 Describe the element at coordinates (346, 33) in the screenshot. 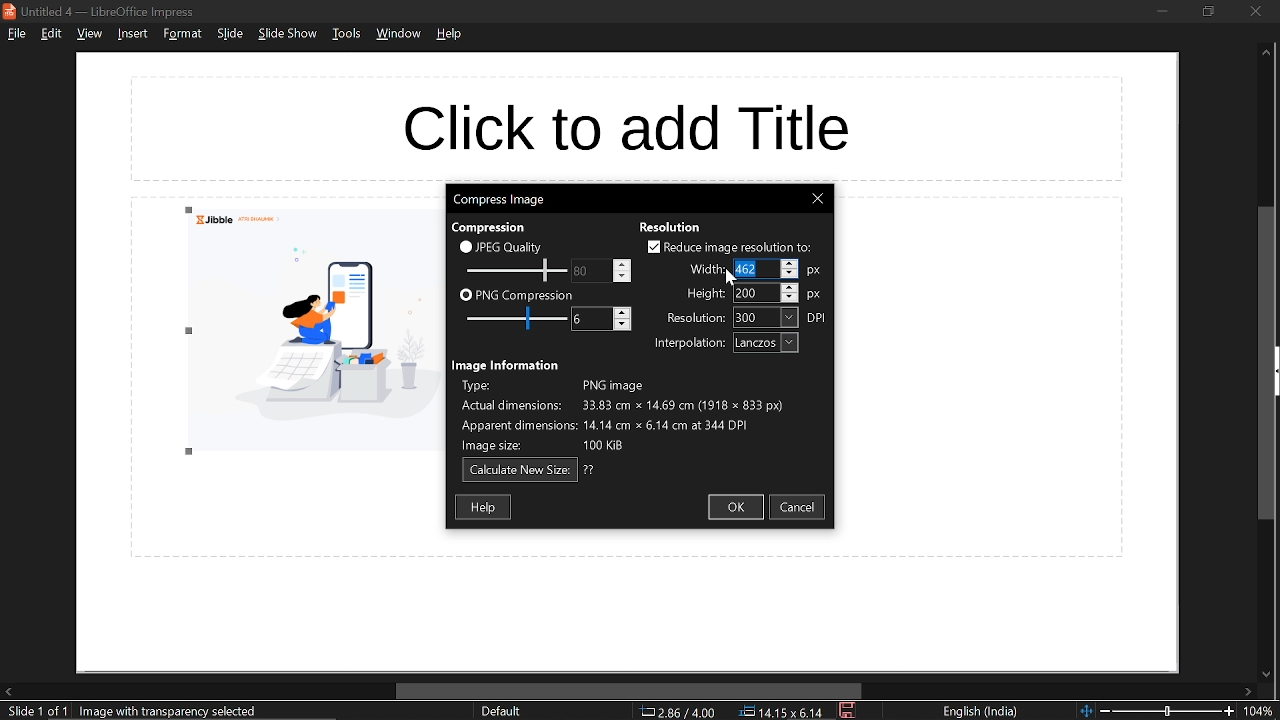

I see `tools` at that location.